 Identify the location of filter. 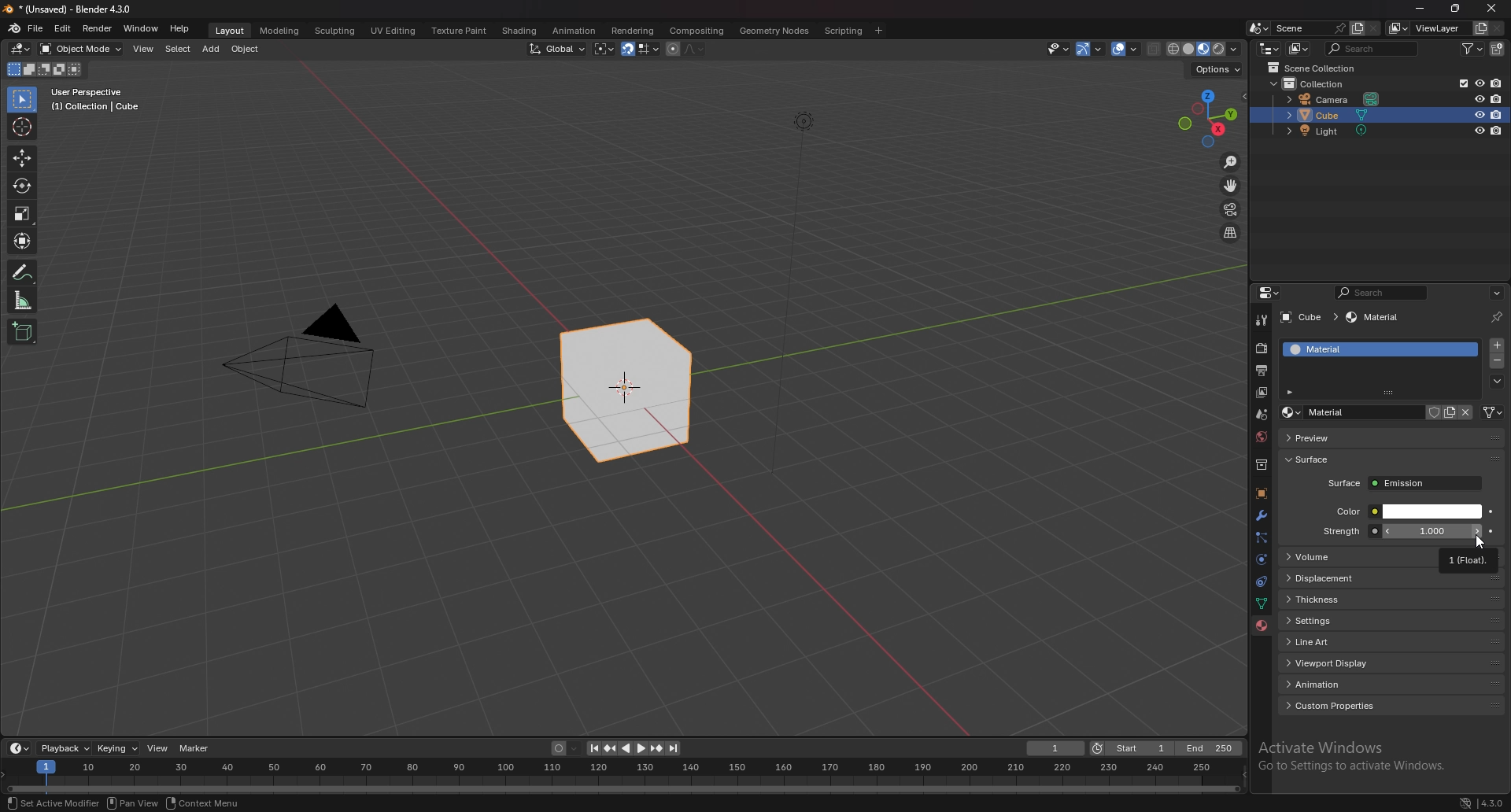
(1476, 48).